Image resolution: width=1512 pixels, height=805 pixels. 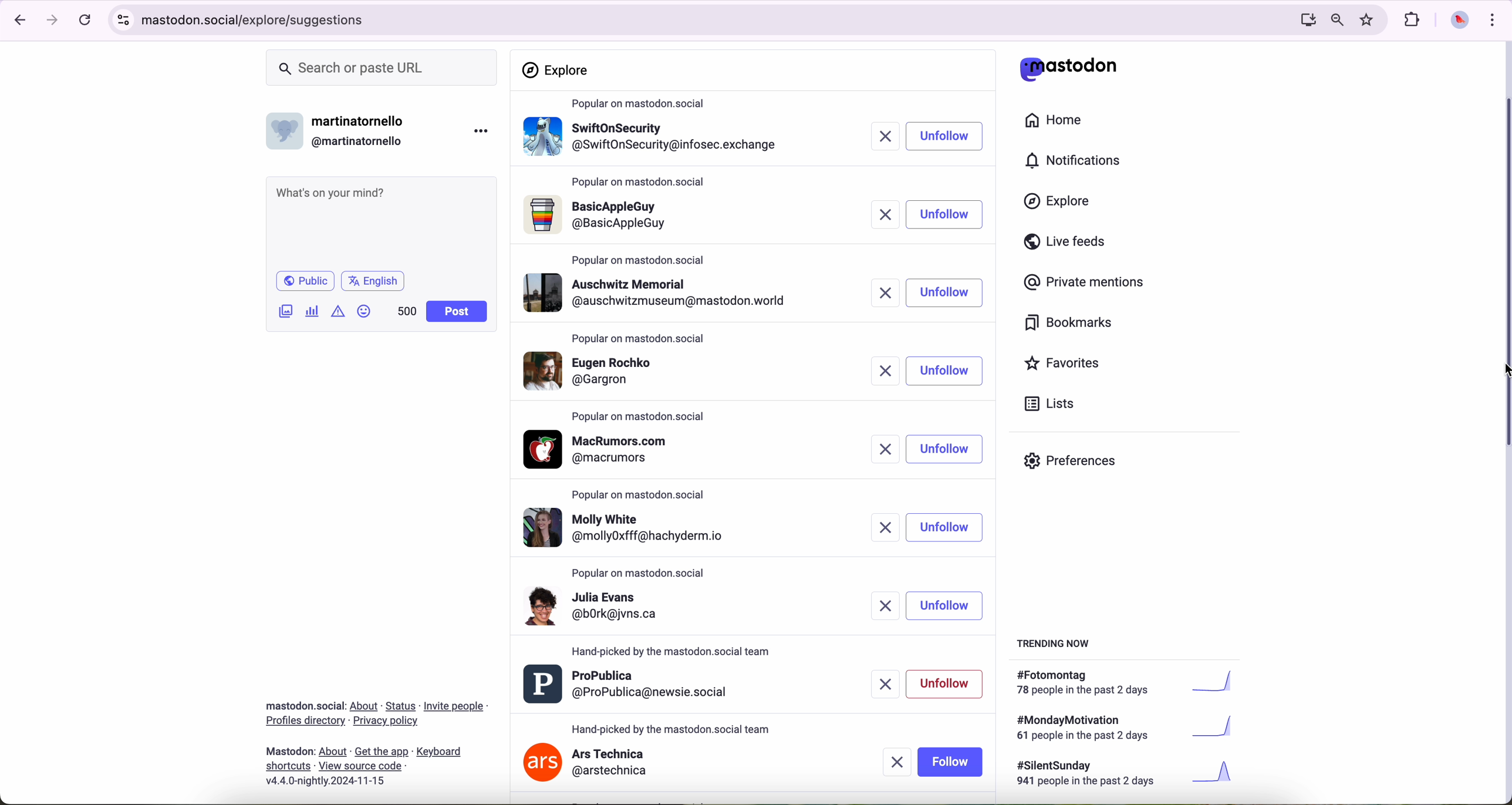 What do you see at coordinates (947, 683) in the screenshot?
I see `unfollow` at bounding box center [947, 683].